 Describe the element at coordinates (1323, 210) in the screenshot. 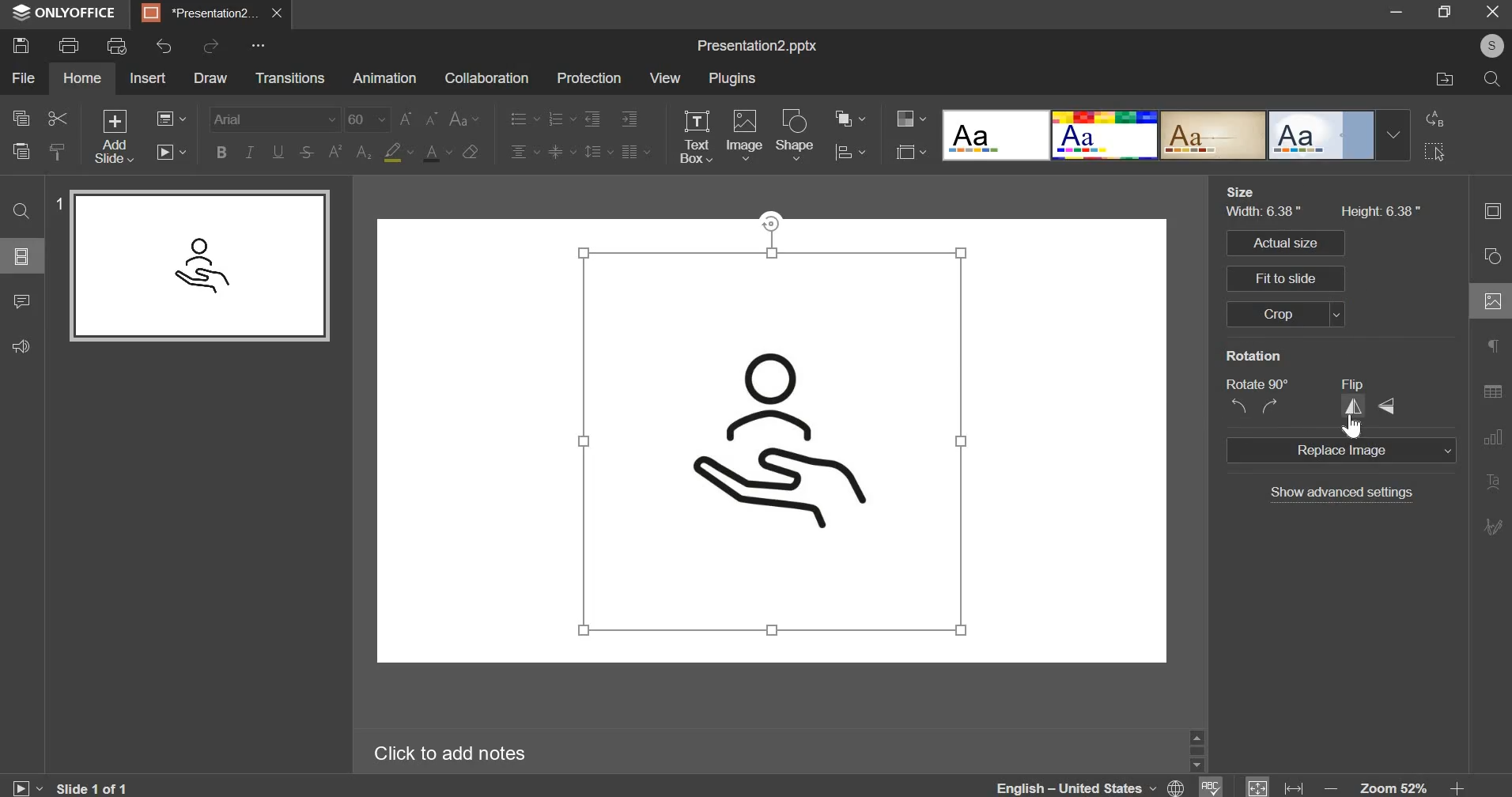

I see `size of image` at that location.